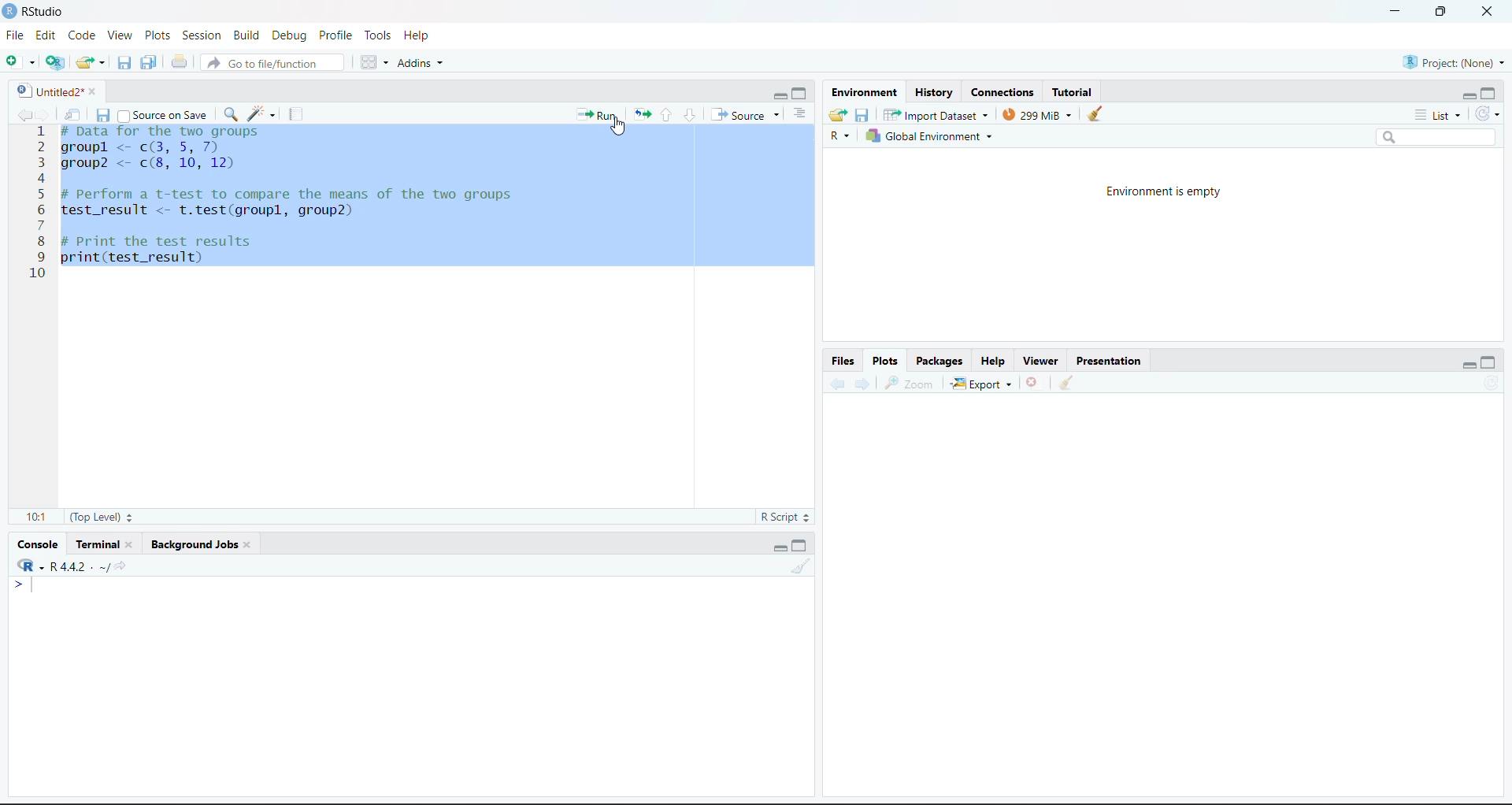  What do you see at coordinates (928, 135) in the screenshot?
I see `Global Environment` at bounding box center [928, 135].